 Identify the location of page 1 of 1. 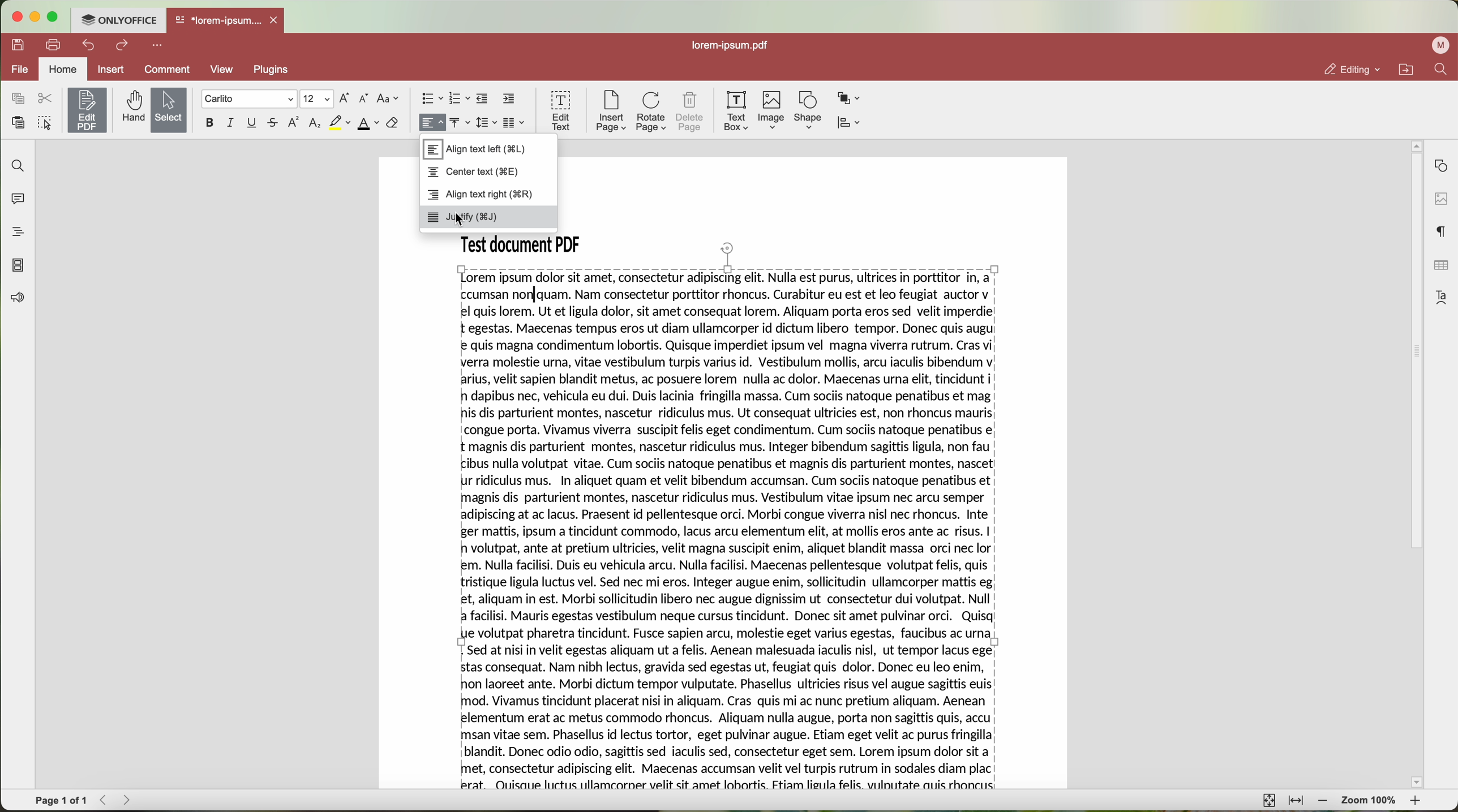
(60, 802).